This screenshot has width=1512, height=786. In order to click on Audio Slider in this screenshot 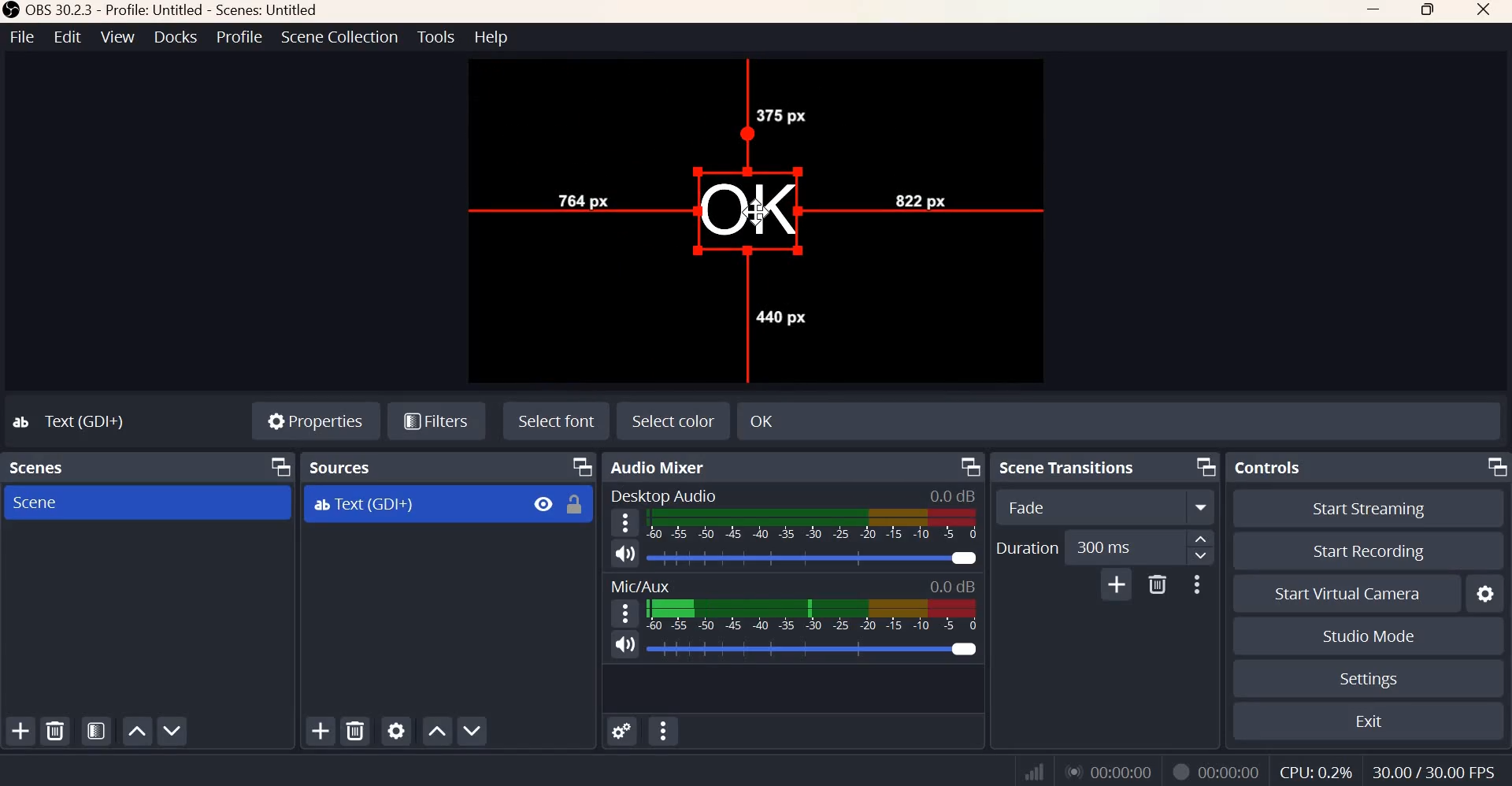, I will do `click(813, 558)`.